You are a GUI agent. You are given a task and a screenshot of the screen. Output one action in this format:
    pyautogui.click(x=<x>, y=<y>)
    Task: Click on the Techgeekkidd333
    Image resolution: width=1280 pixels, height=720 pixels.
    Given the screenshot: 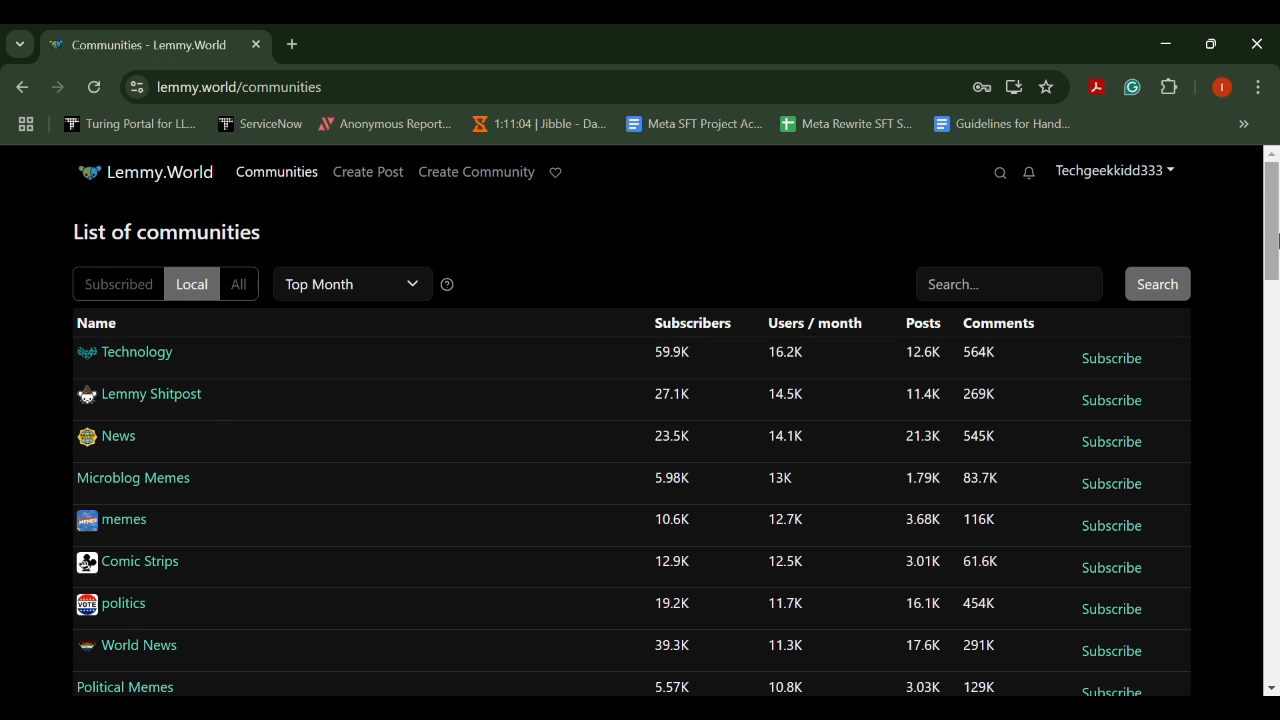 What is the action you would take?
    pyautogui.click(x=1114, y=173)
    